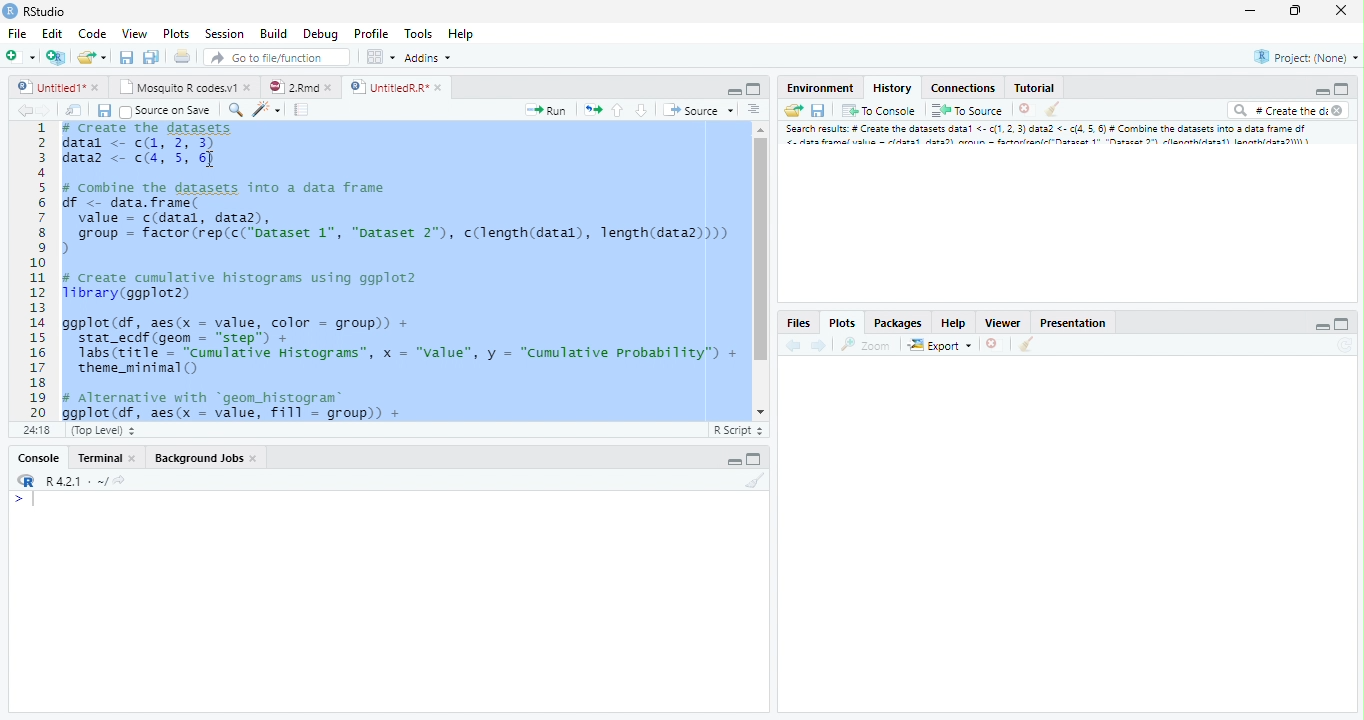 The image size is (1364, 720). Describe the element at coordinates (235, 112) in the screenshot. I see `Zoom` at that location.